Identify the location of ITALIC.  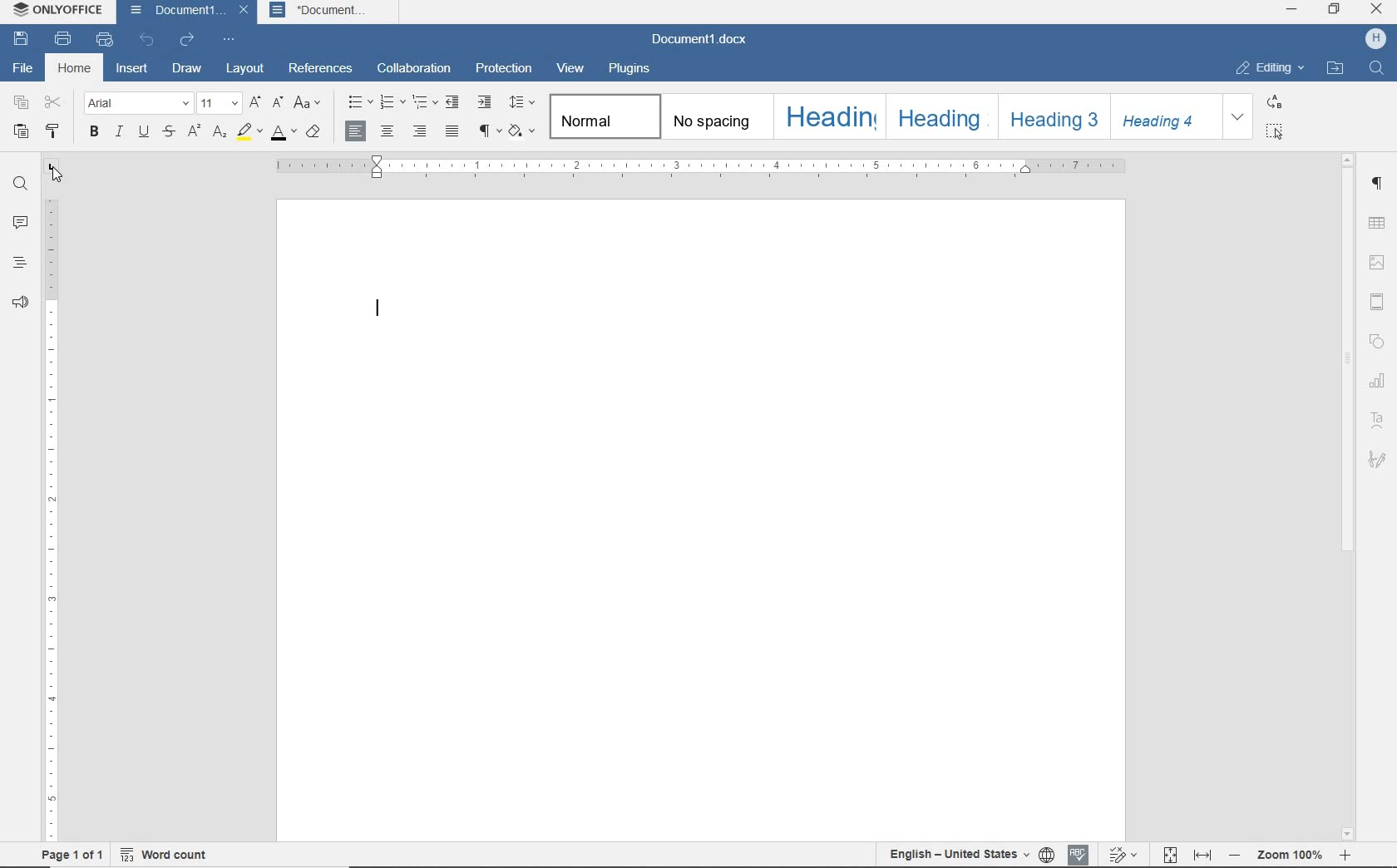
(119, 133).